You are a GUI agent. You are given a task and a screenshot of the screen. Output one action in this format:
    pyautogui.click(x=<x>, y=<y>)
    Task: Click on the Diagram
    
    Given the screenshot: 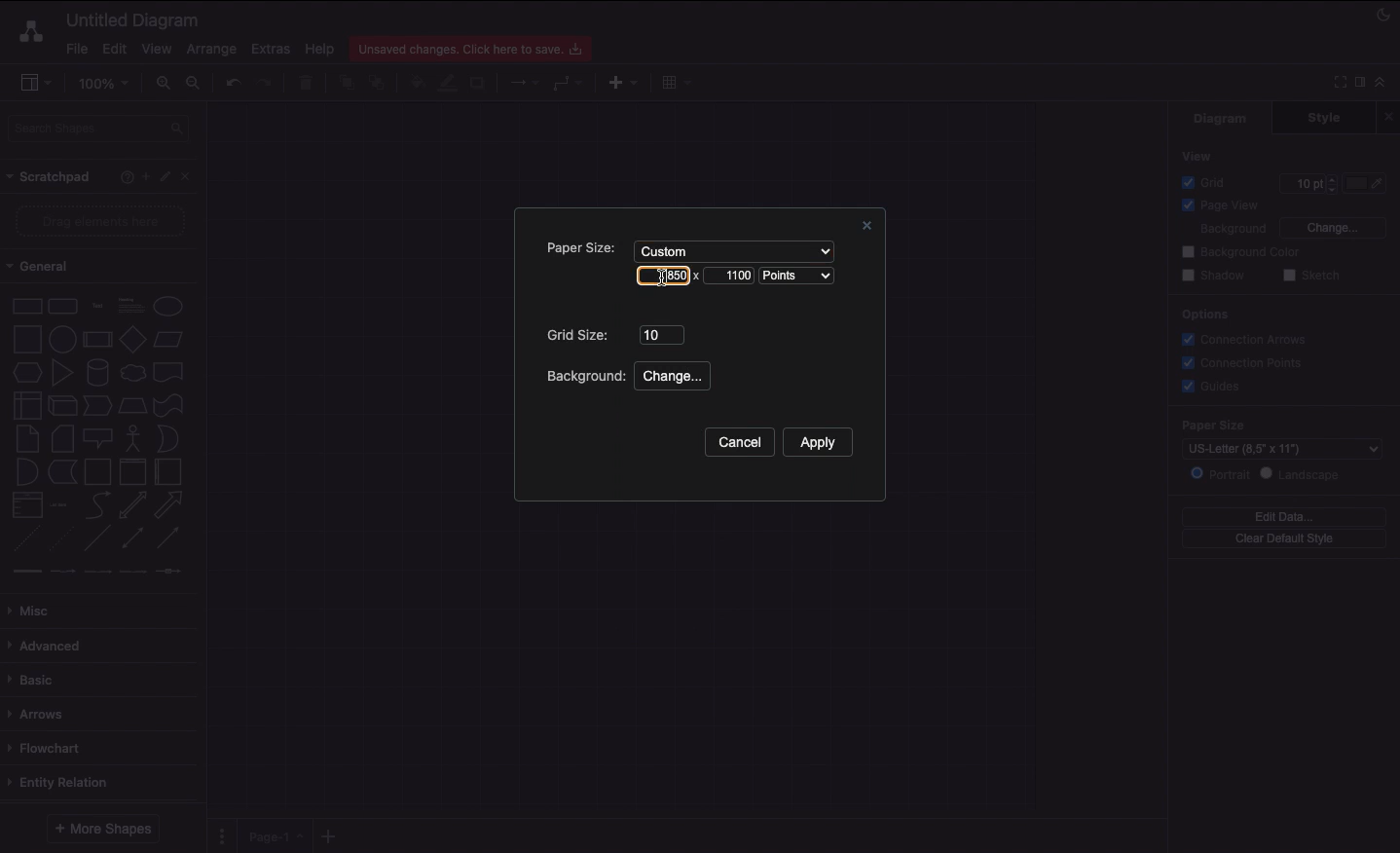 What is the action you would take?
    pyautogui.click(x=1222, y=118)
    